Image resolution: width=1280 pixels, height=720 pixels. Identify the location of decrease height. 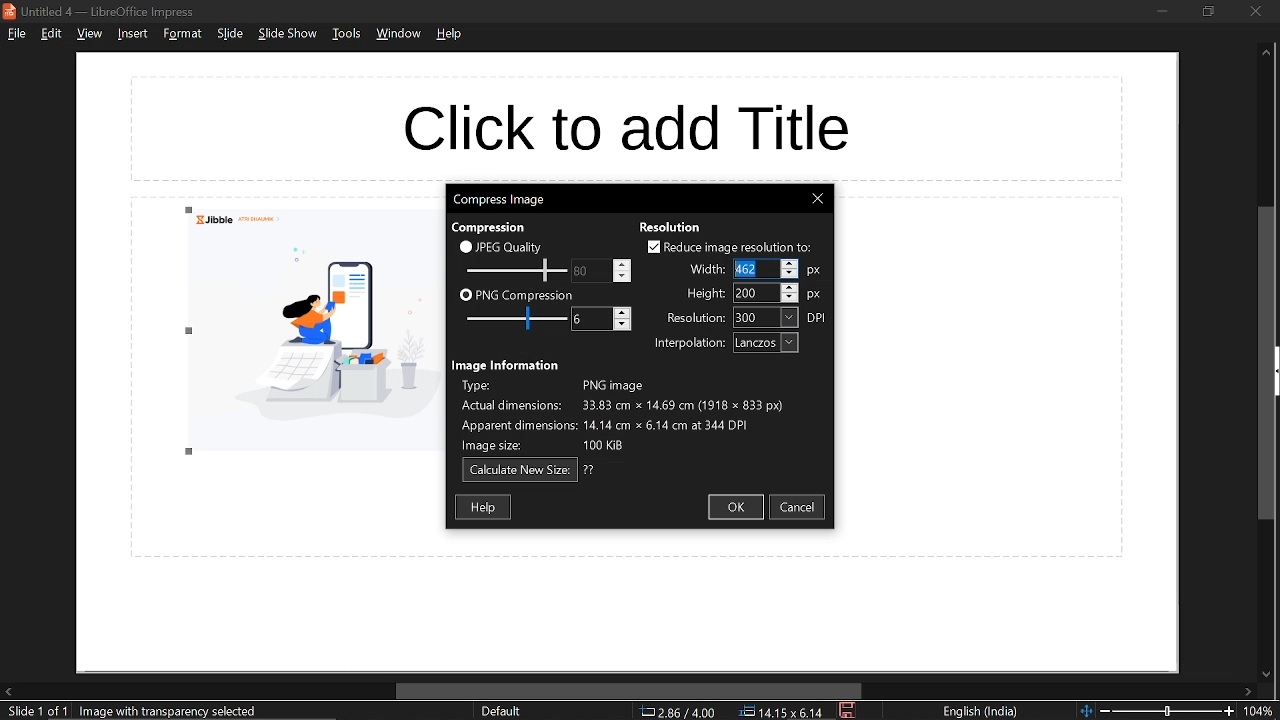
(790, 297).